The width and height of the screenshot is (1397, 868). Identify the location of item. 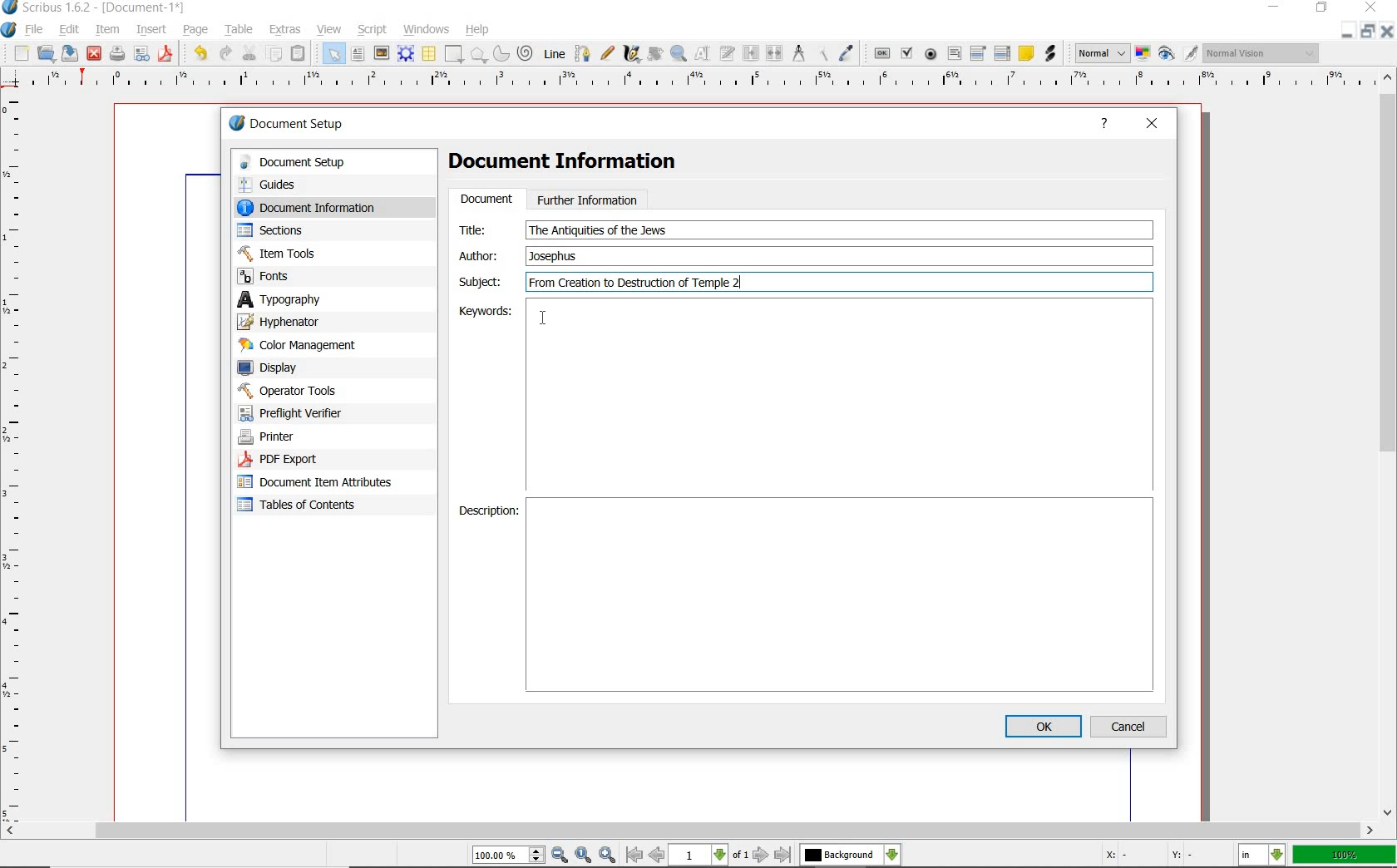
(108, 31).